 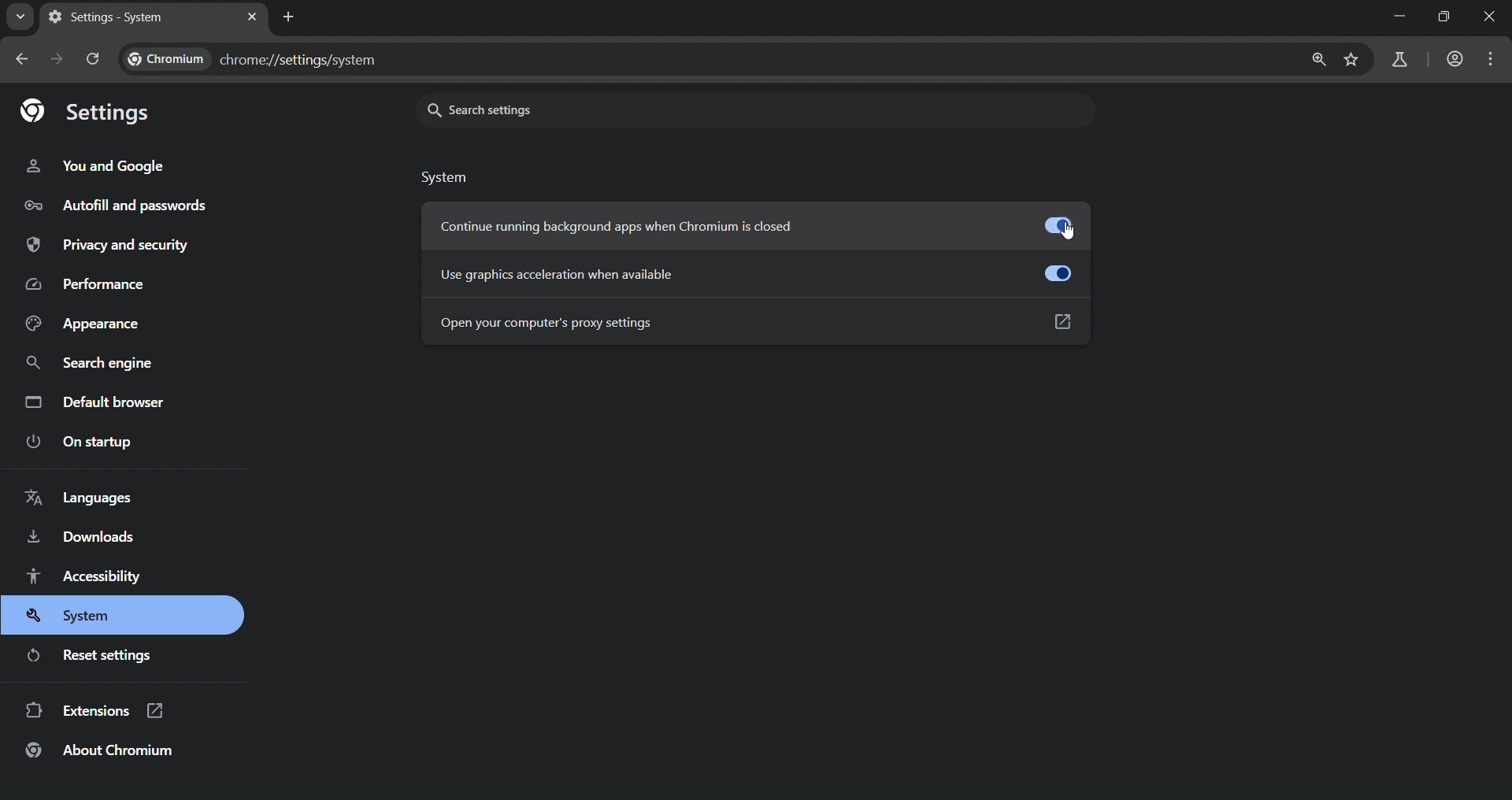 I want to click on privacy and security, so click(x=117, y=245).